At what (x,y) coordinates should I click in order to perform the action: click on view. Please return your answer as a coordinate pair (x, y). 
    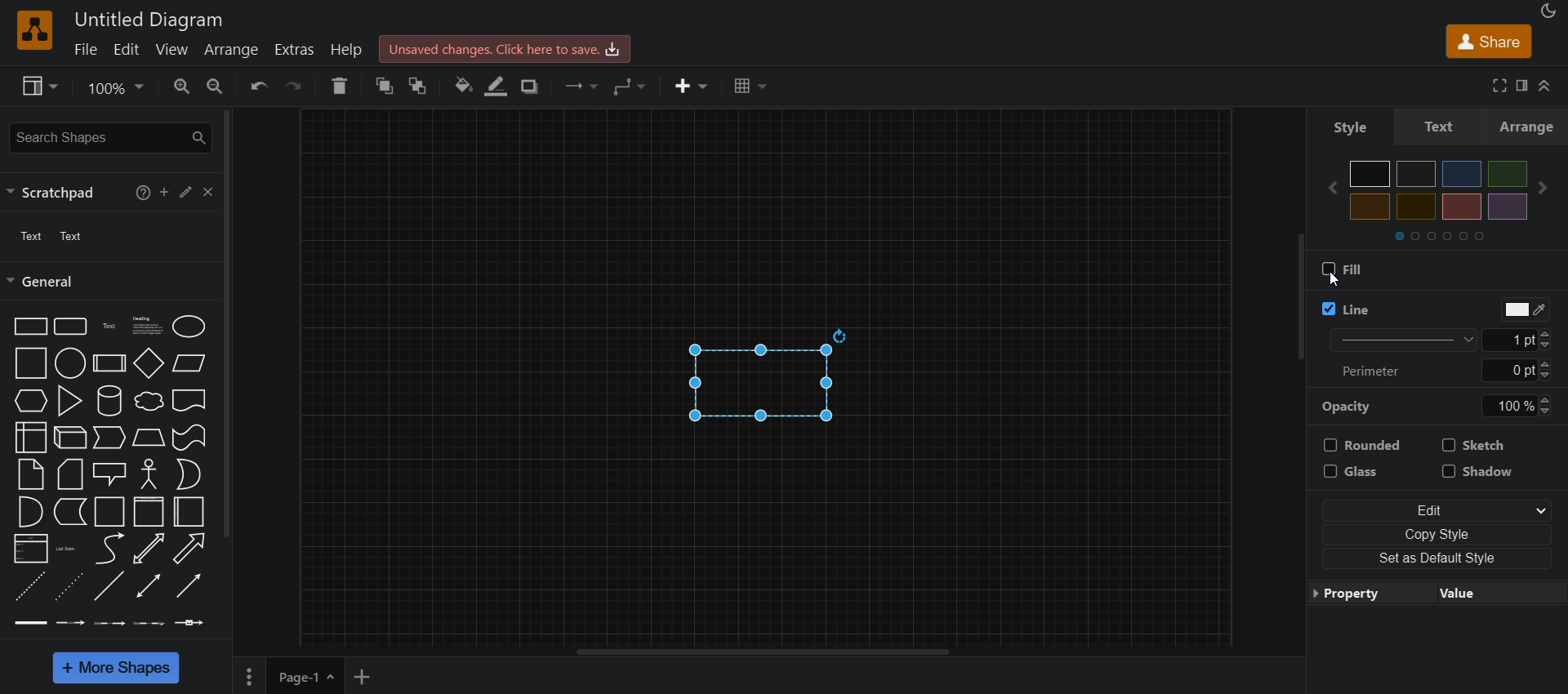
    Looking at the image, I should click on (171, 50).